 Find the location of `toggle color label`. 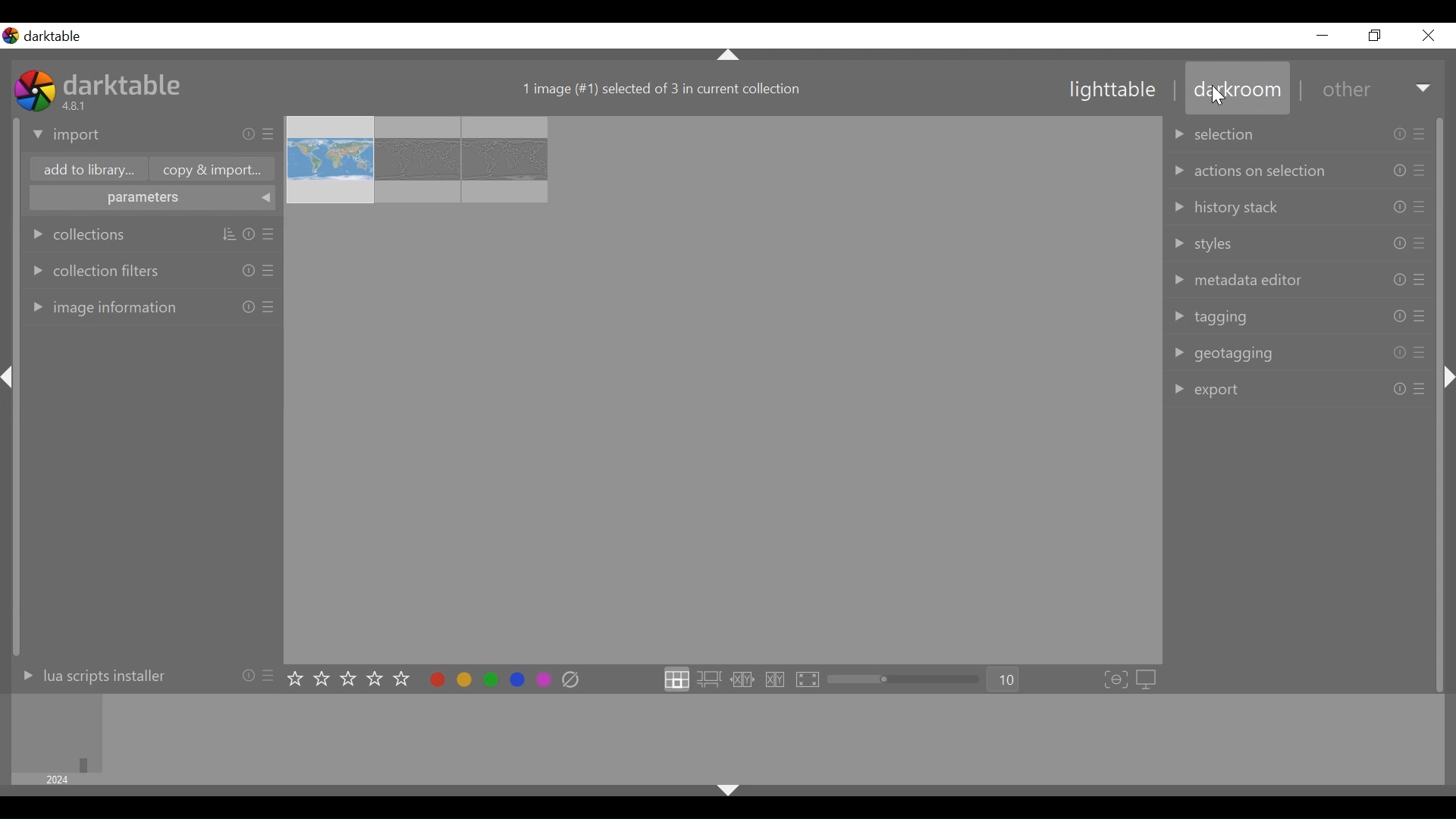

toggle color label is located at coordinates (488, 680).